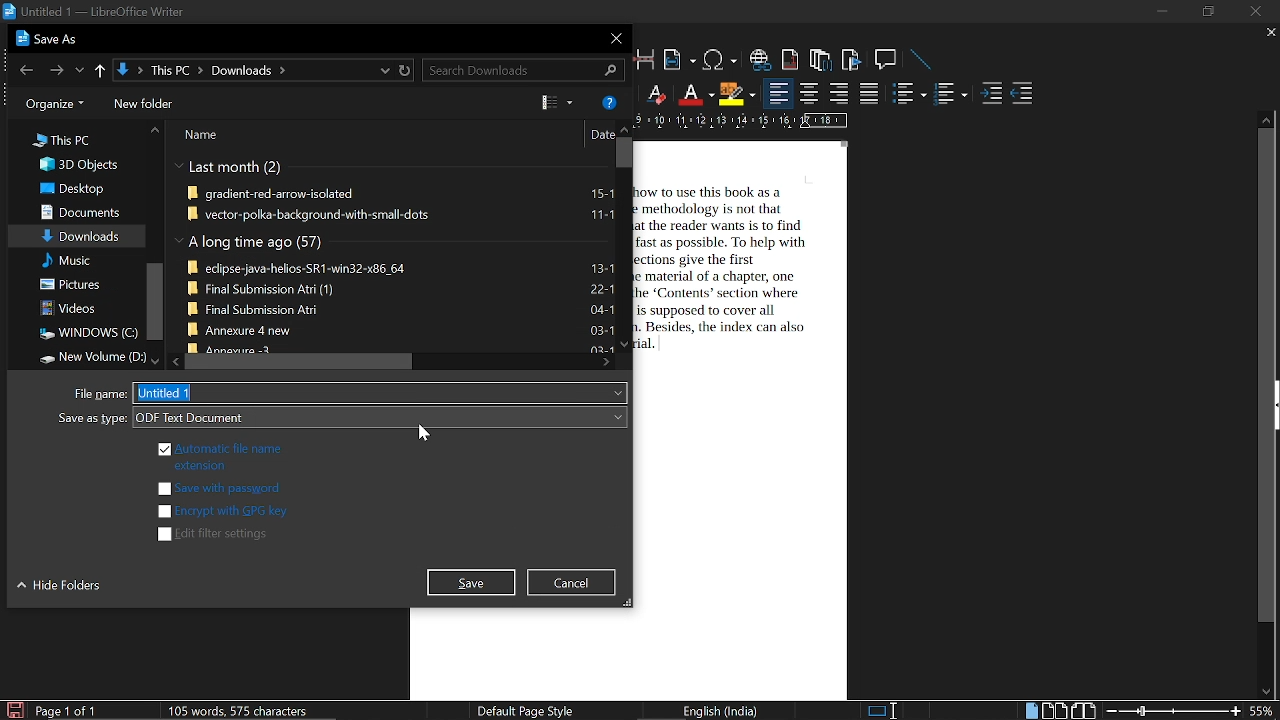 The width and height of the screenshot is (1280, 720). I want to click on Videos, so click(69, 308).